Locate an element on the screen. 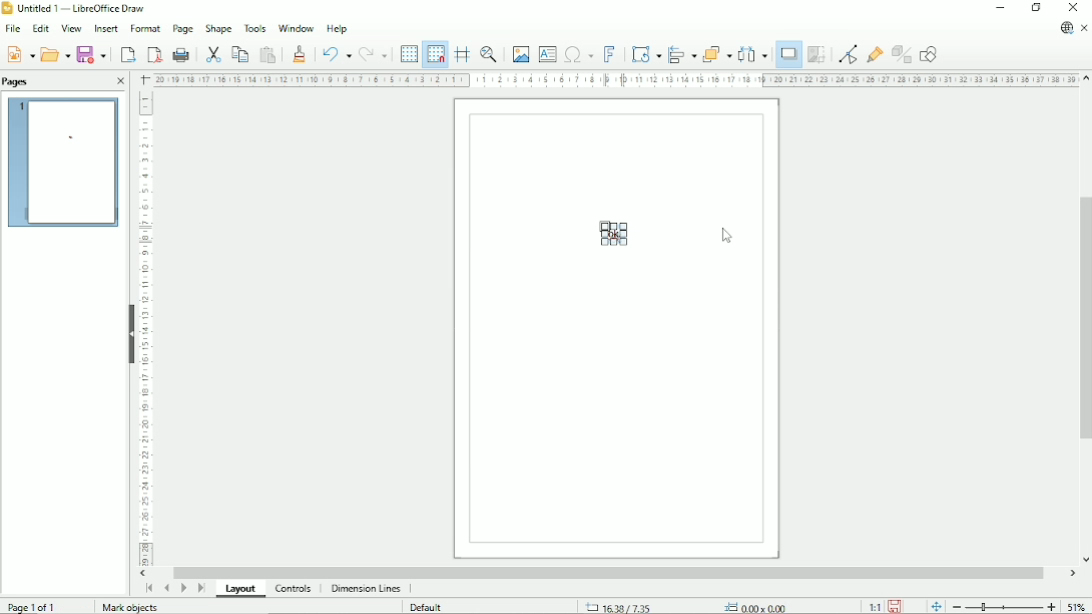 This screenshot has height=614, width=1092. Tools is located at coordinates (254, 28).